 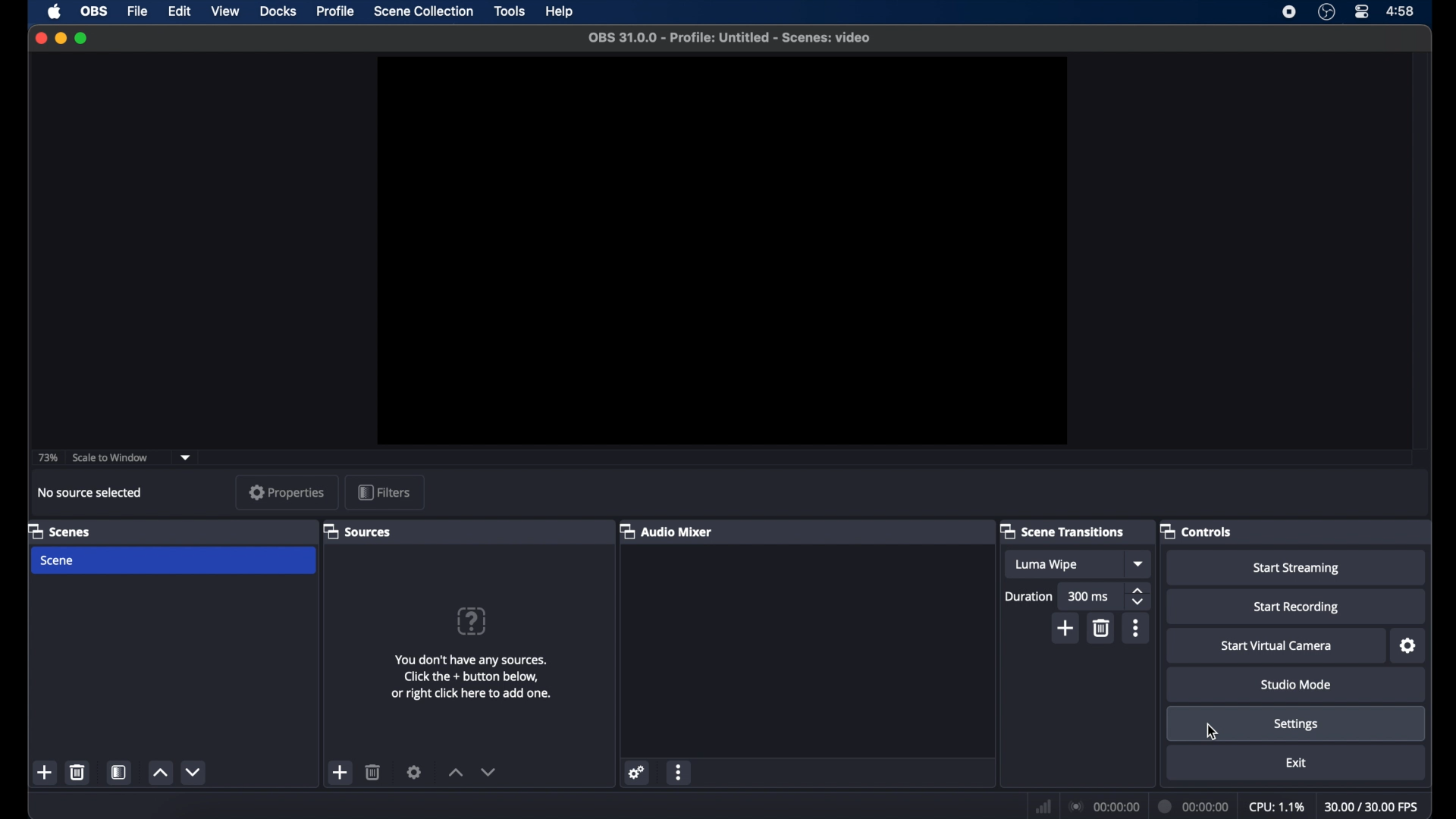 What do you see at coordinates (1065, 627) in the screenshot?
I see `add` at bounding box center [1065, 627].